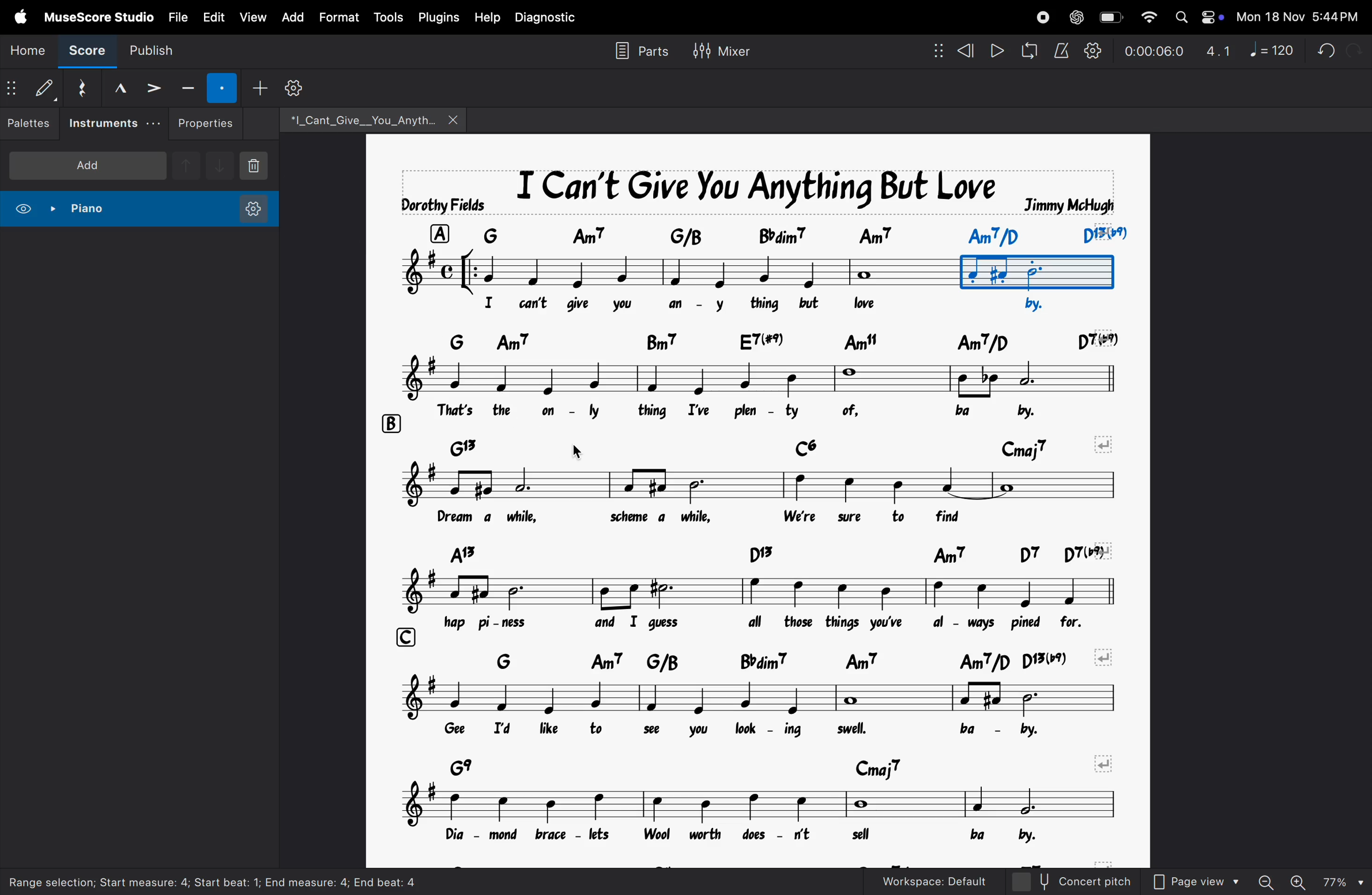  Describe the element at coordinates (439, 18) in the screenshot. I see `plugins` at that location.